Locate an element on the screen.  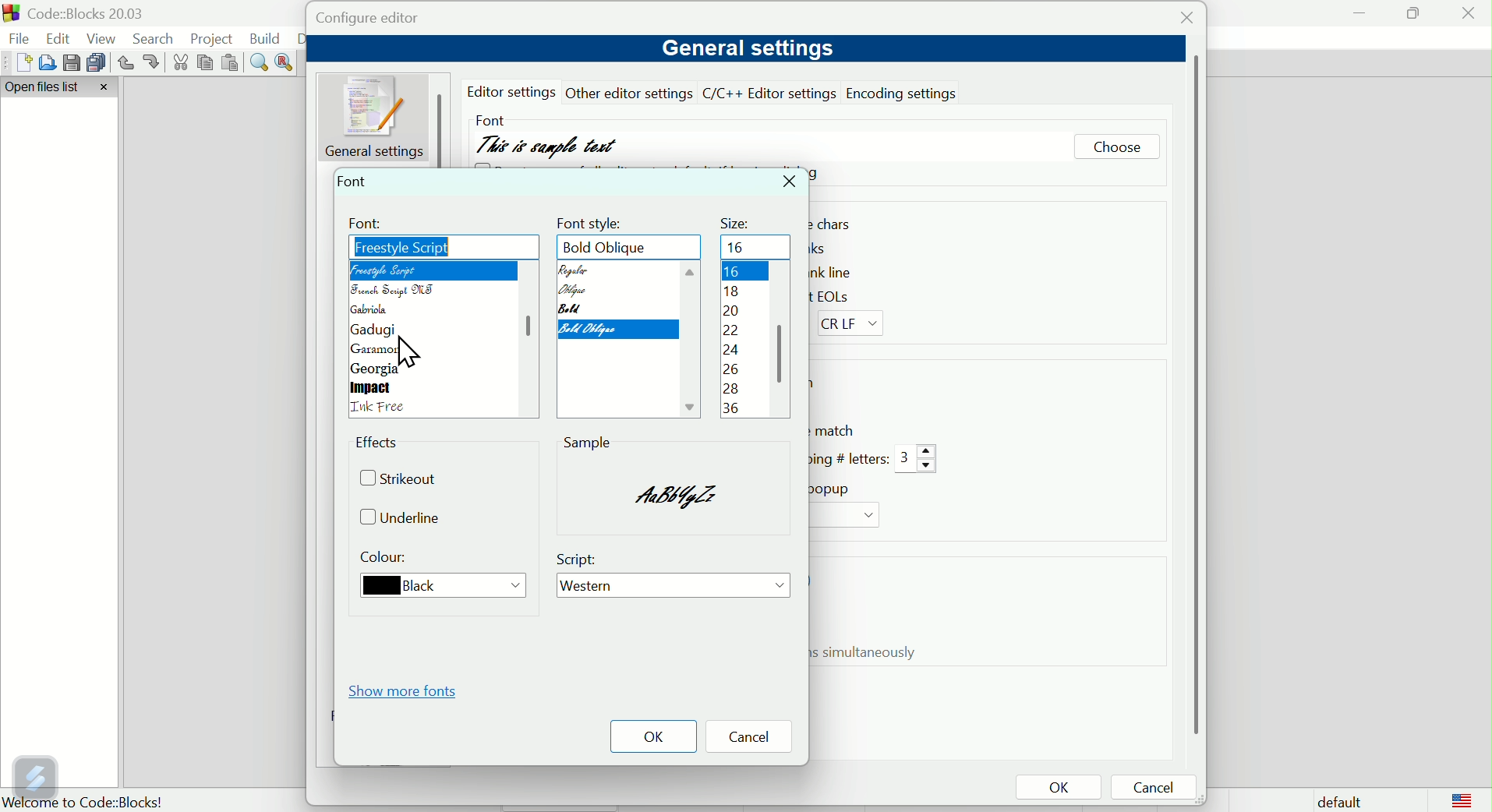
Replace is located at coordinates (286, 61).